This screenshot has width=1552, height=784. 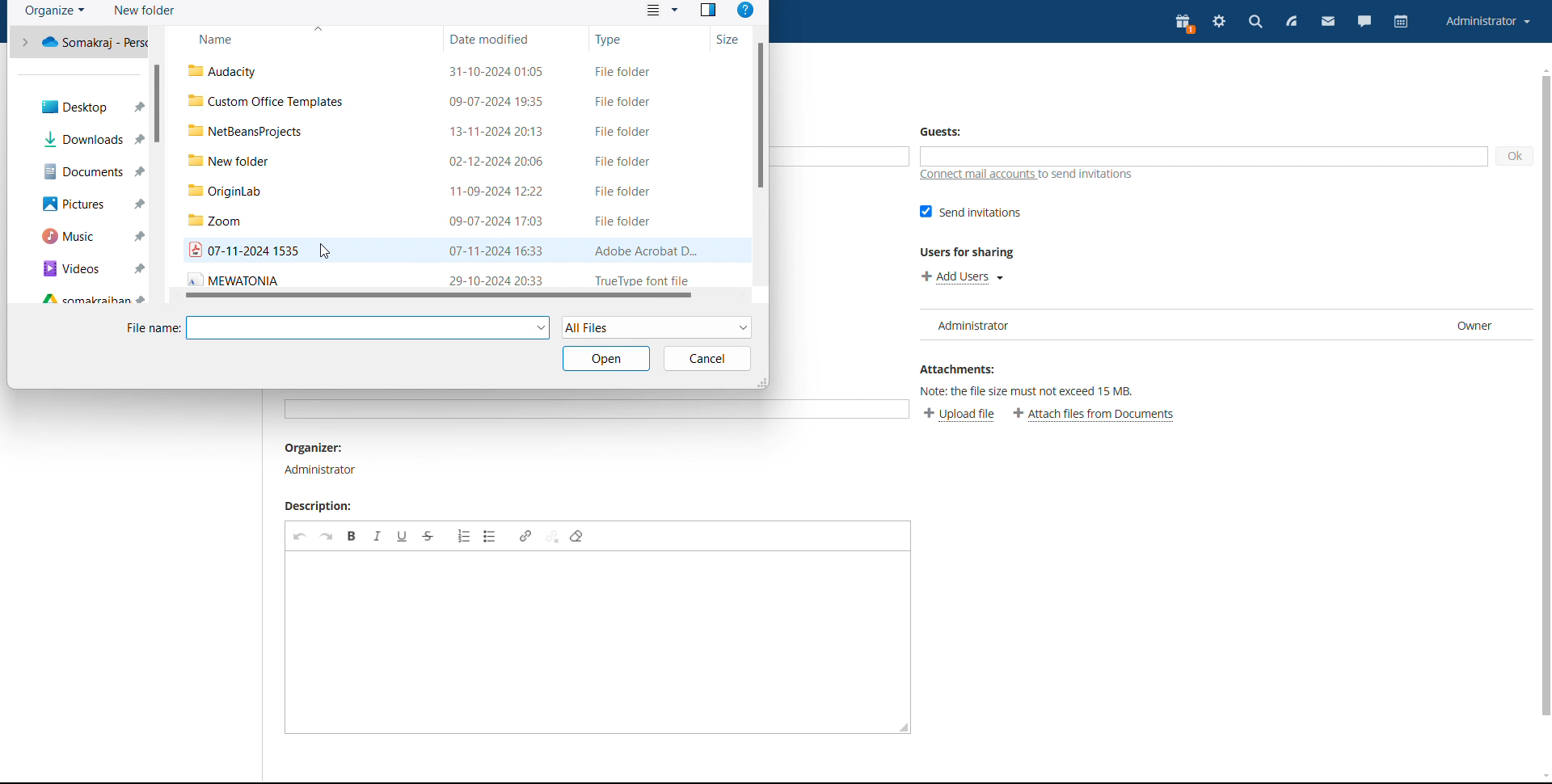 I want to click on , so click(x=603, y=360).